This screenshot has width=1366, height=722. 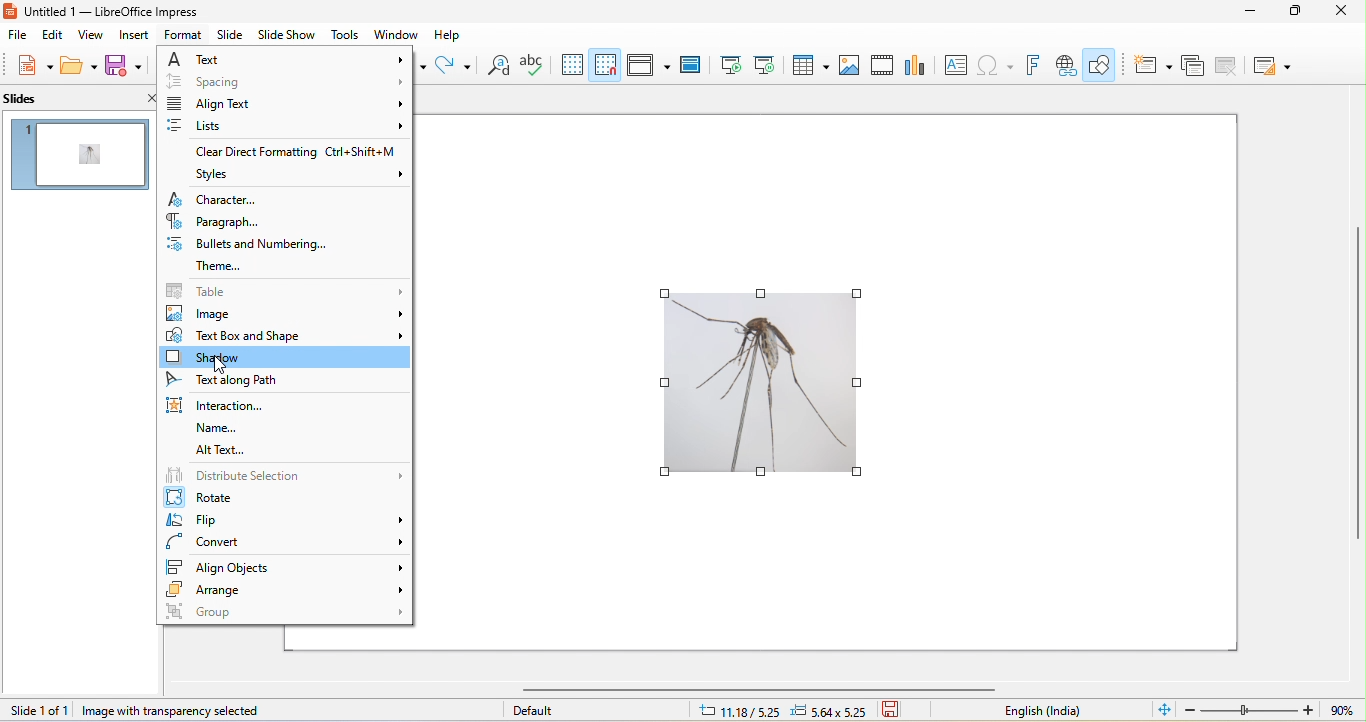 What do you see at coordinates (809, 64) in the screenshot?
I see `table` at bounding box center [809, 64].